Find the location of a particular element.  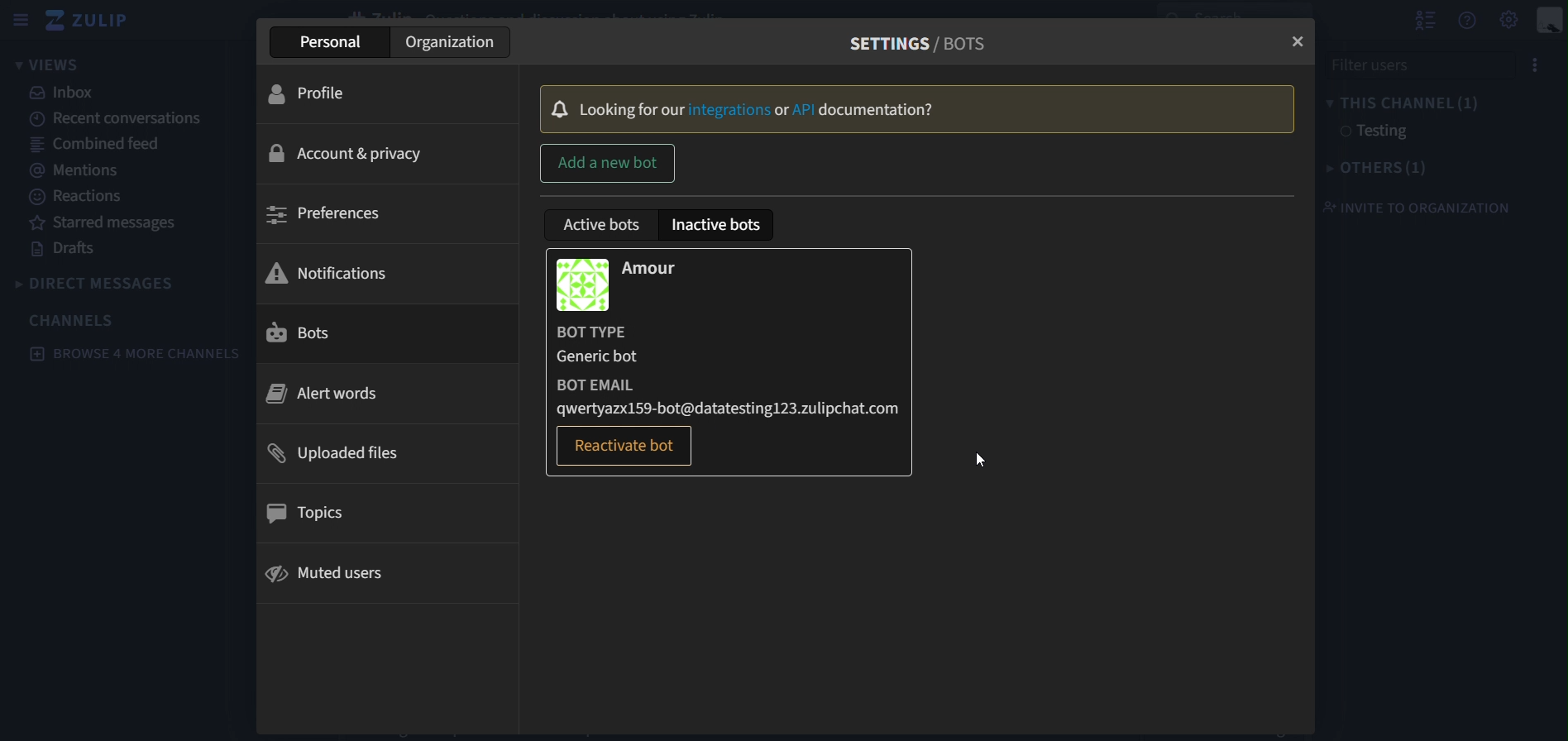

settings is located at coordinates (1510, 18).